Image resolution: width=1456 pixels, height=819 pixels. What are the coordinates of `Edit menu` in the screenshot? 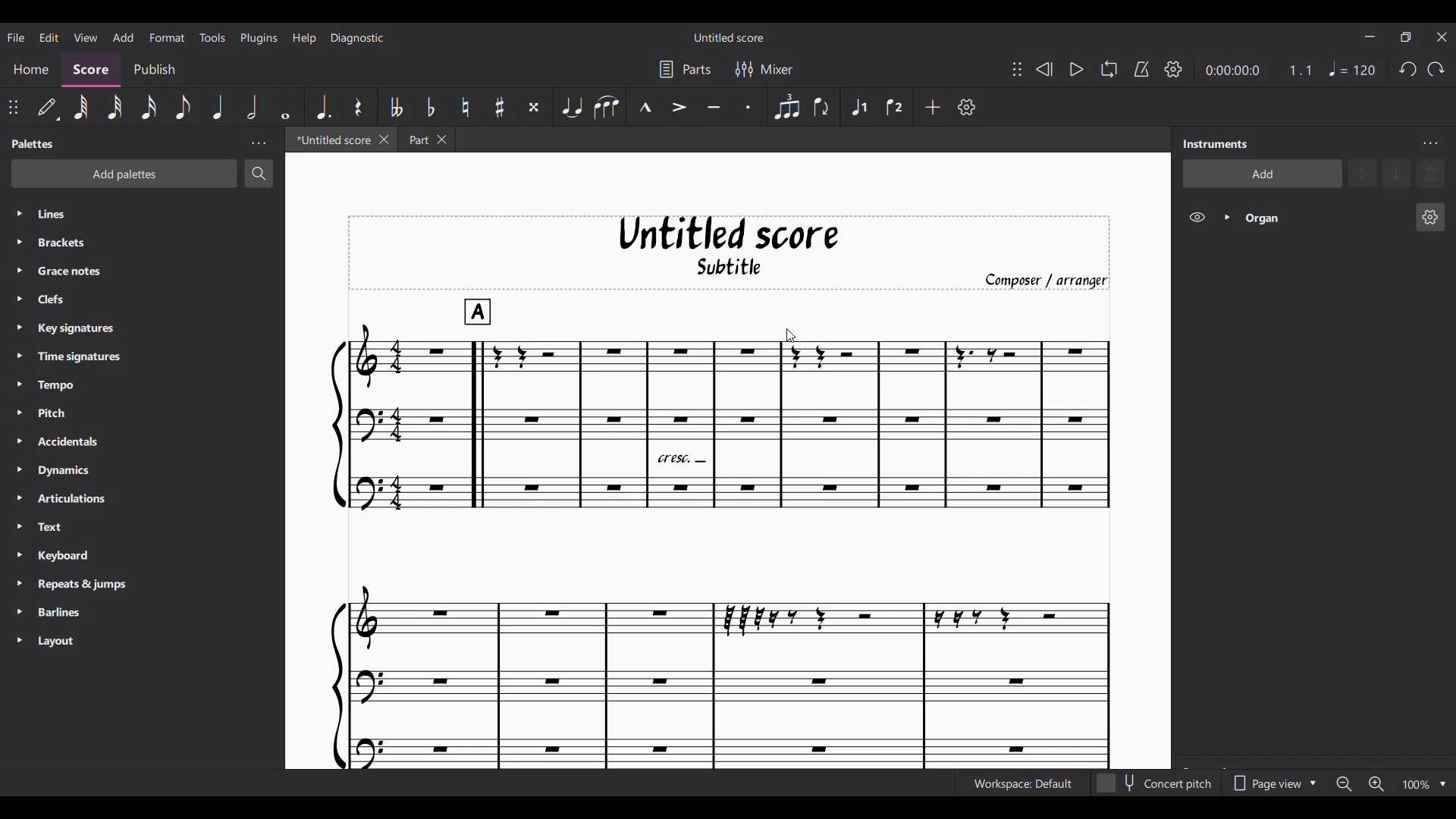 It's located at (49, 36).